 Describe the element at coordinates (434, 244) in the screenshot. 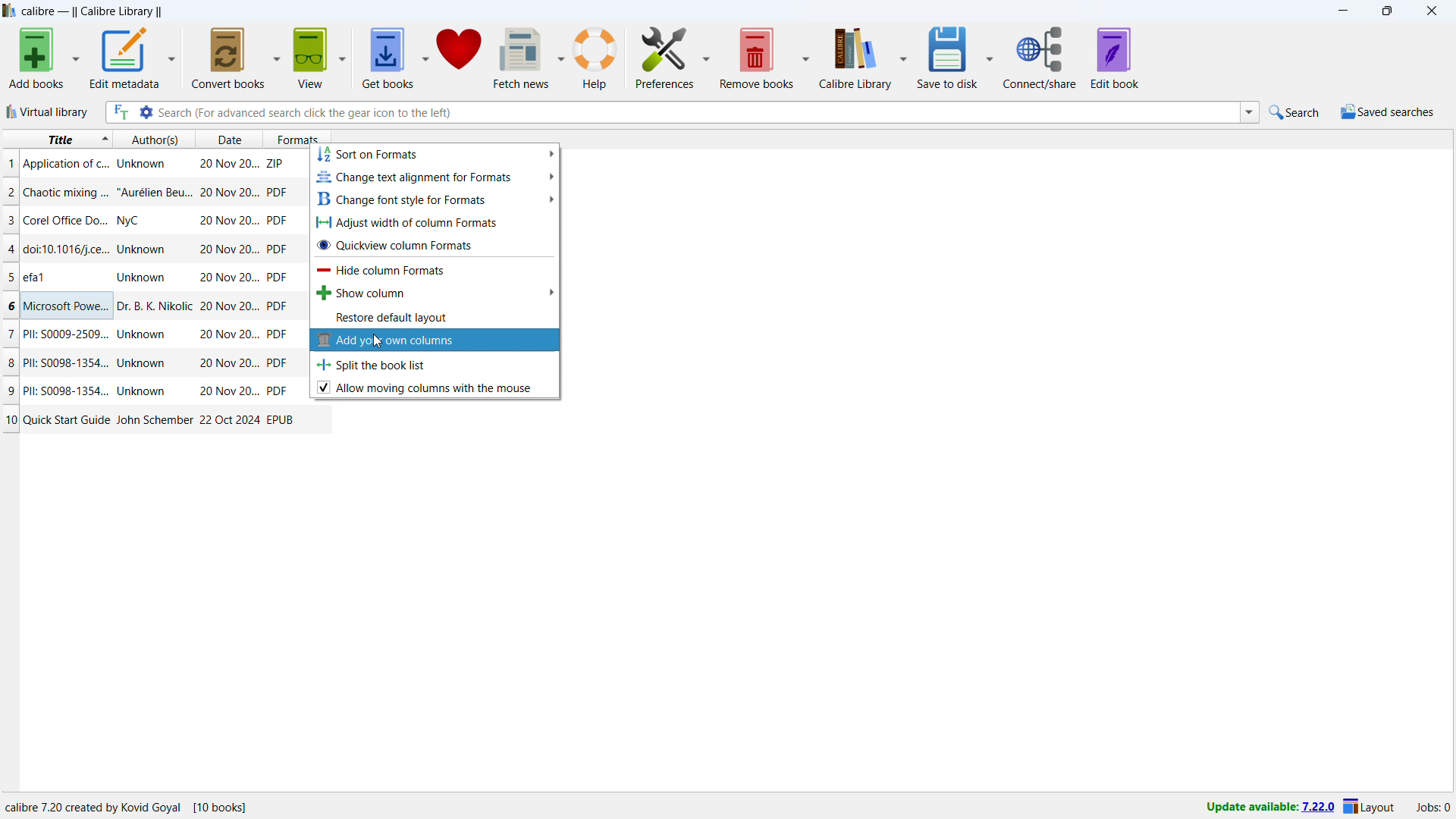

I see `quickview column formats` at that location.